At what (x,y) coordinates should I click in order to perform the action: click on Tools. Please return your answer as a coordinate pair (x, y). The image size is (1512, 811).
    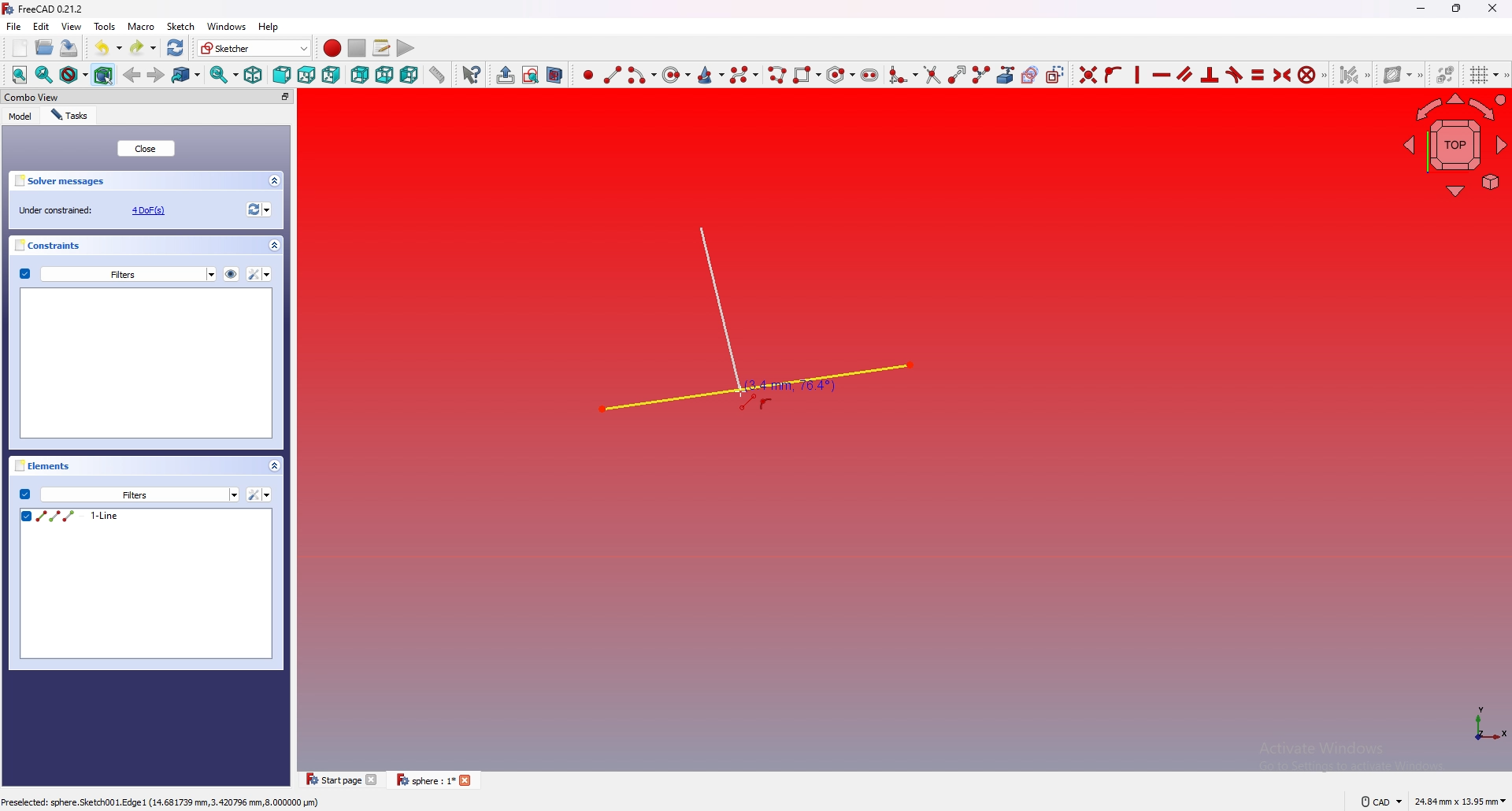
    Looking at the image, I should click on (106, 27).